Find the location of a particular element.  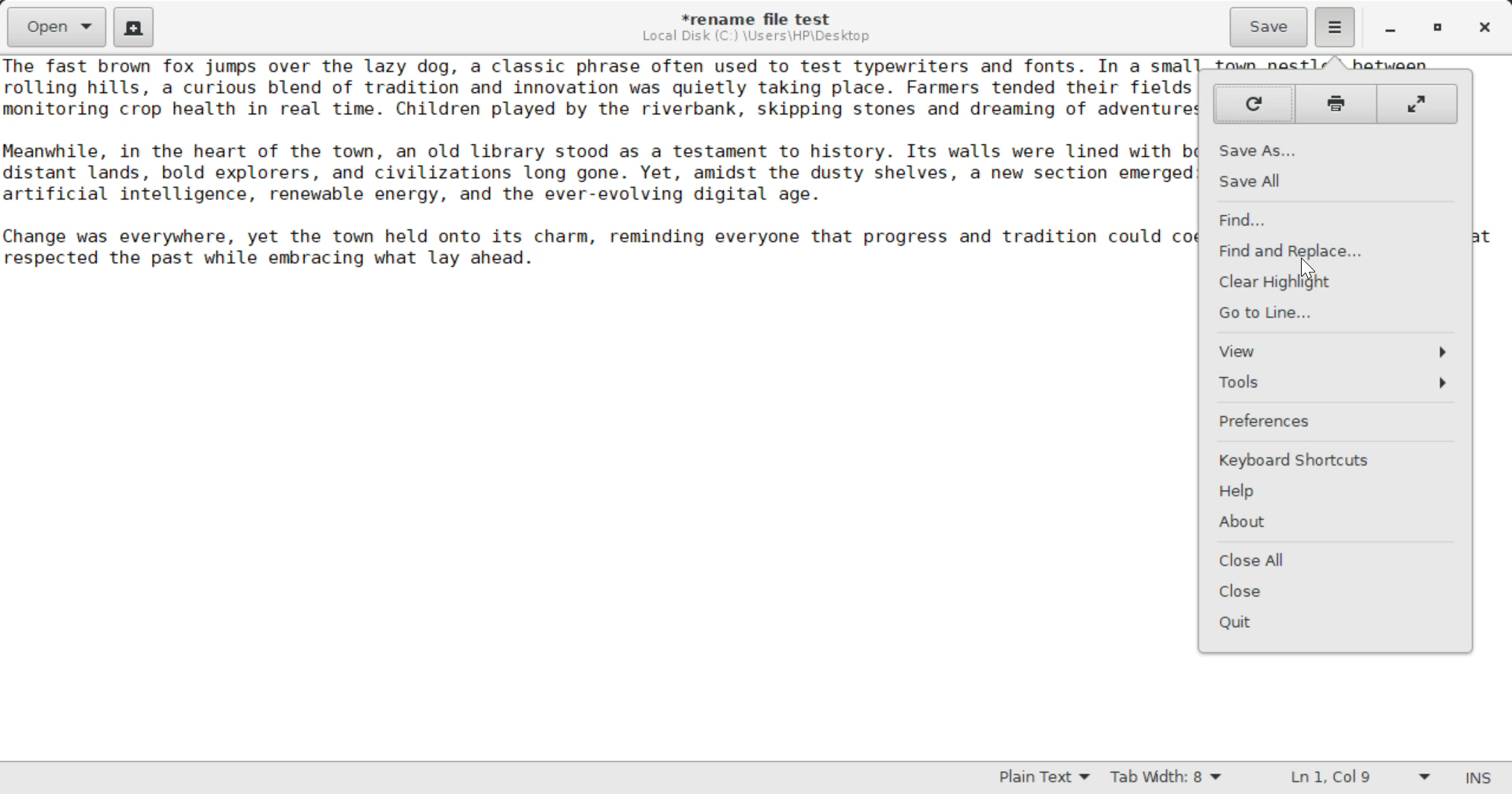

Line and Character Count is located at coordinates (1357, 779).